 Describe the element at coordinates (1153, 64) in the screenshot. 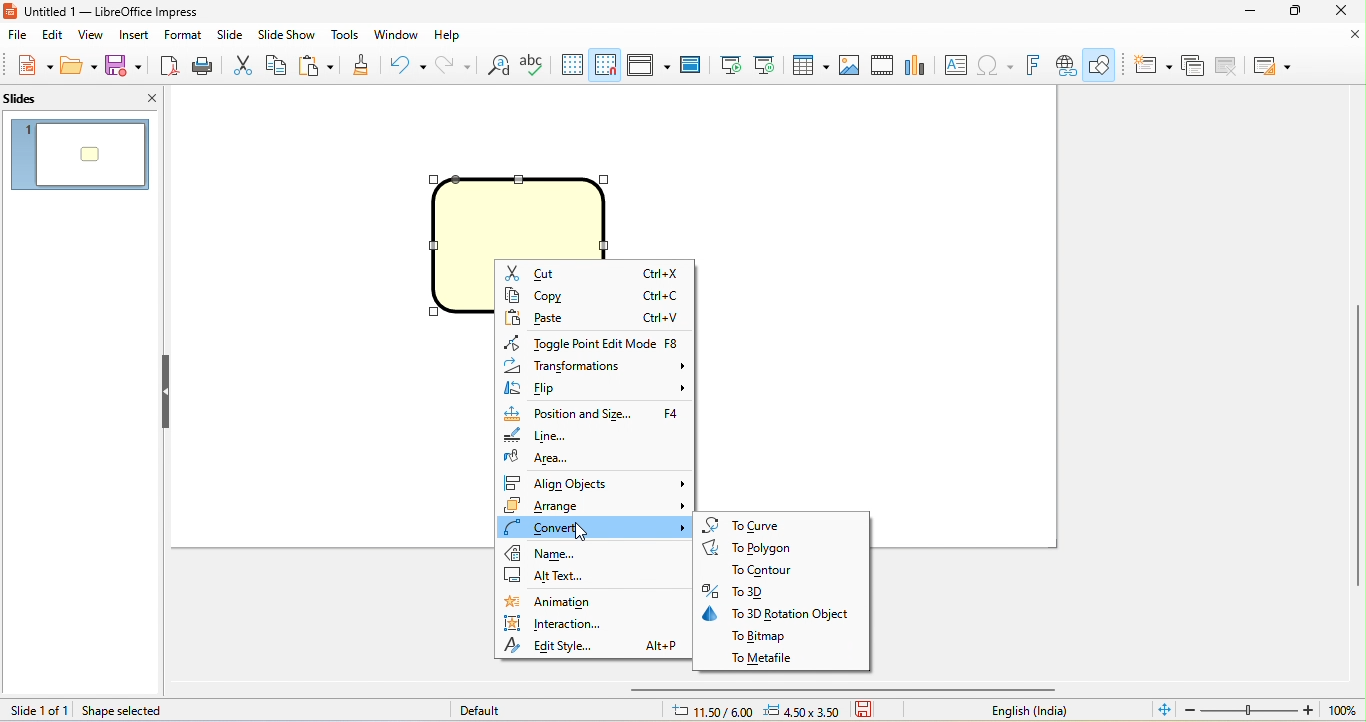

I see `new slide` at that location.